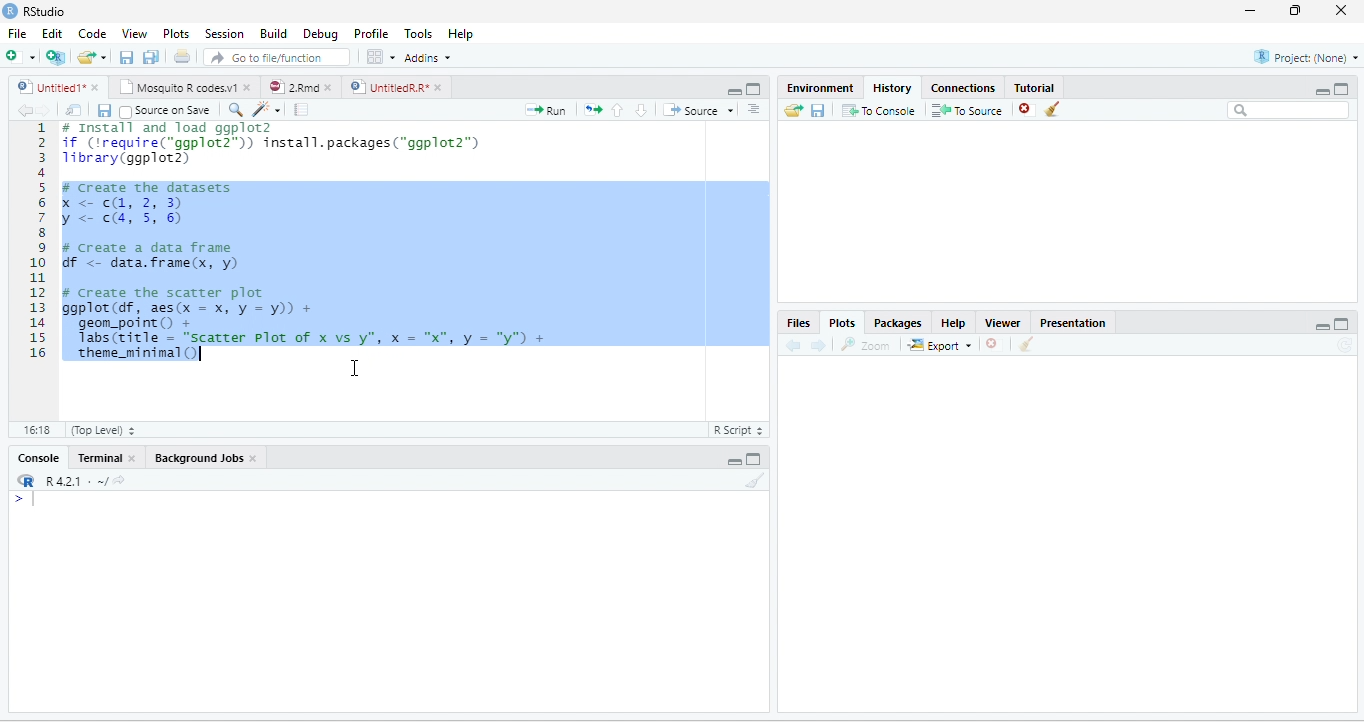 The image size is (1364, 722). What do you see at coordinates (1343, 323) in the screenshot?
I see `Maximize` at bounding box center [1343, 323].